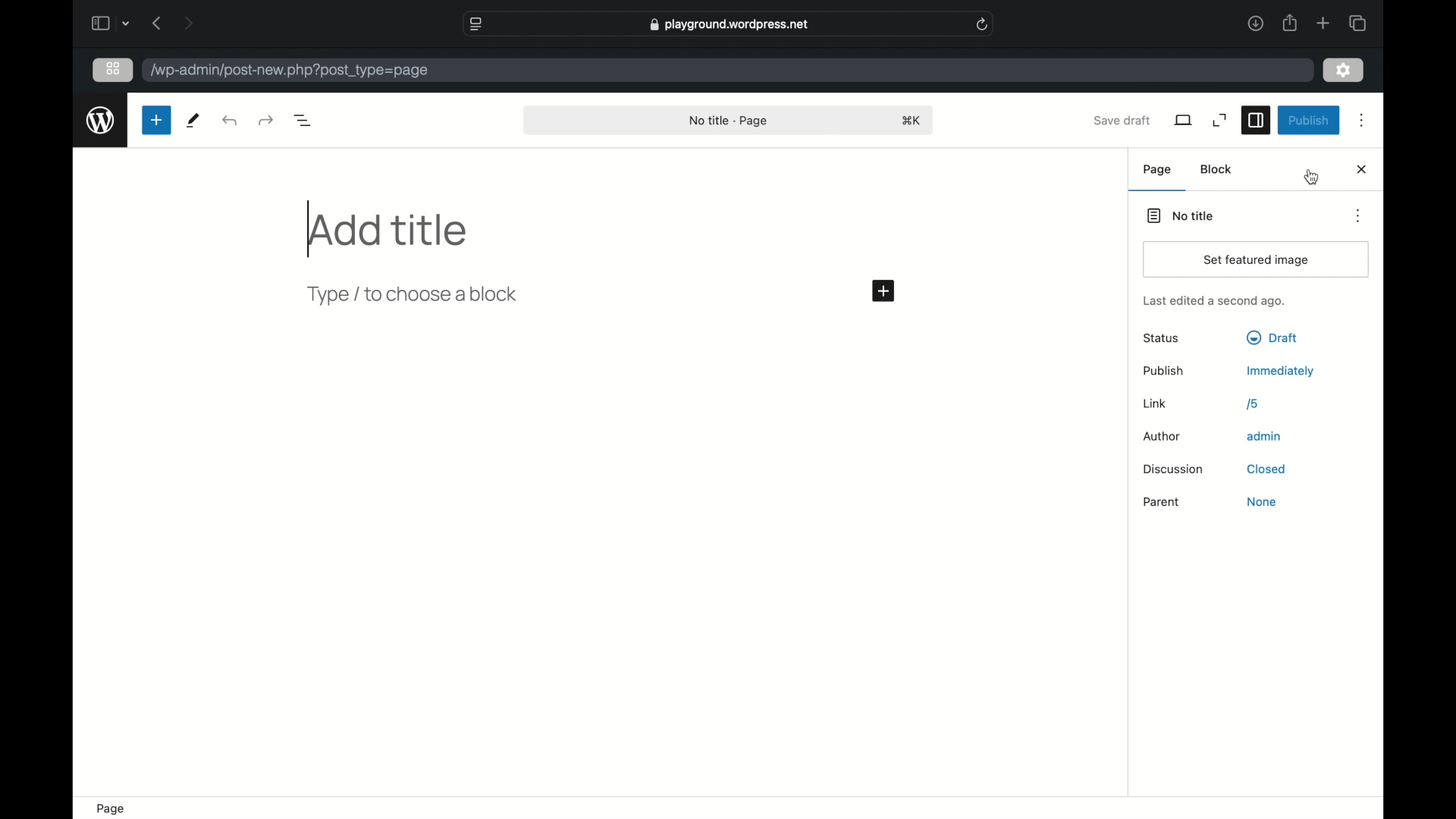 The image size is (1456, 819). What do you see at coordinates (1313, 178) in the screenshot?
I see `cursor` at bounding box center [1313, 178].